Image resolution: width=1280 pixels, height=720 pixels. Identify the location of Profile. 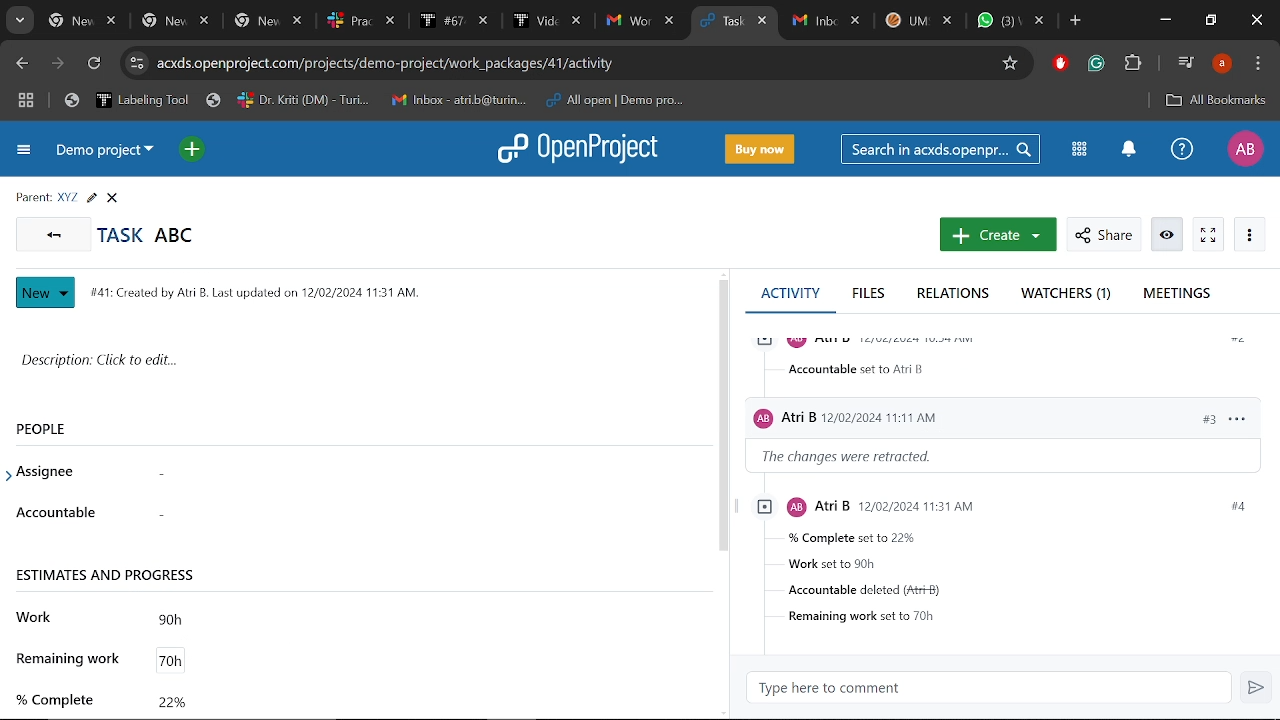
(1244, 149).